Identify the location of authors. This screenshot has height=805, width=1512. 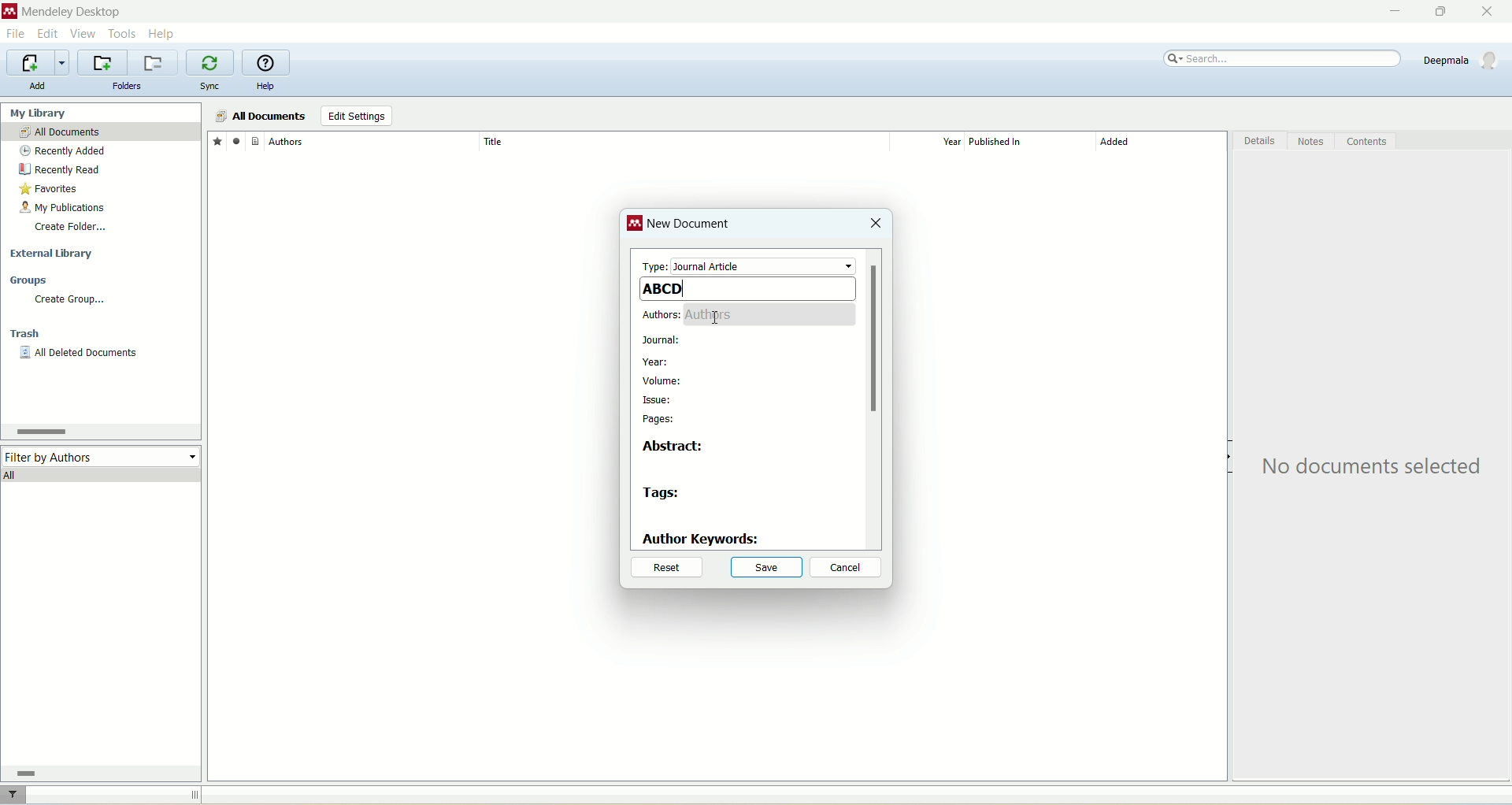
(660, 315).